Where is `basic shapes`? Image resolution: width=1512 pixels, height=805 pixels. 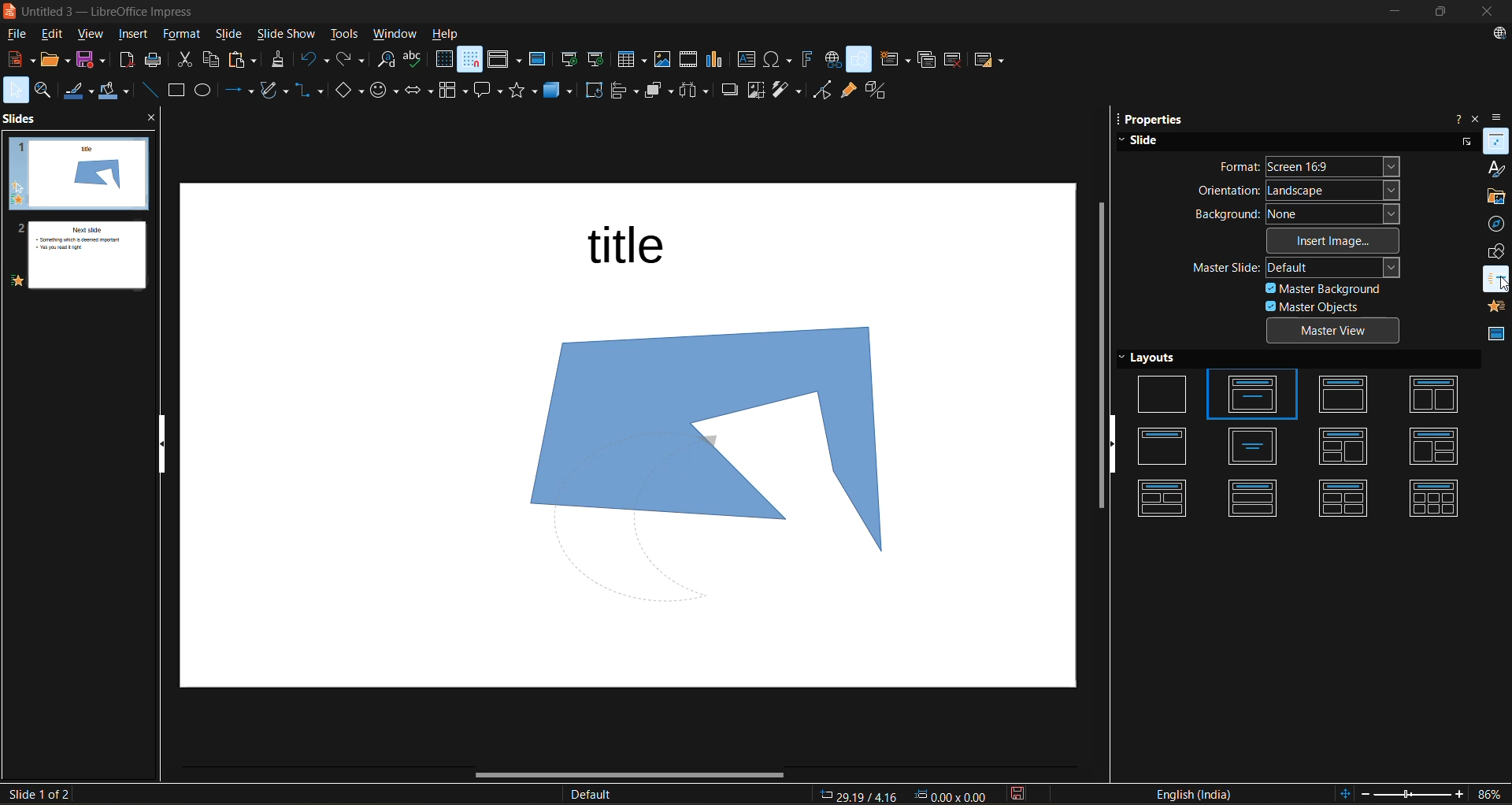
basic shapes is located at coordinates (350, 89).